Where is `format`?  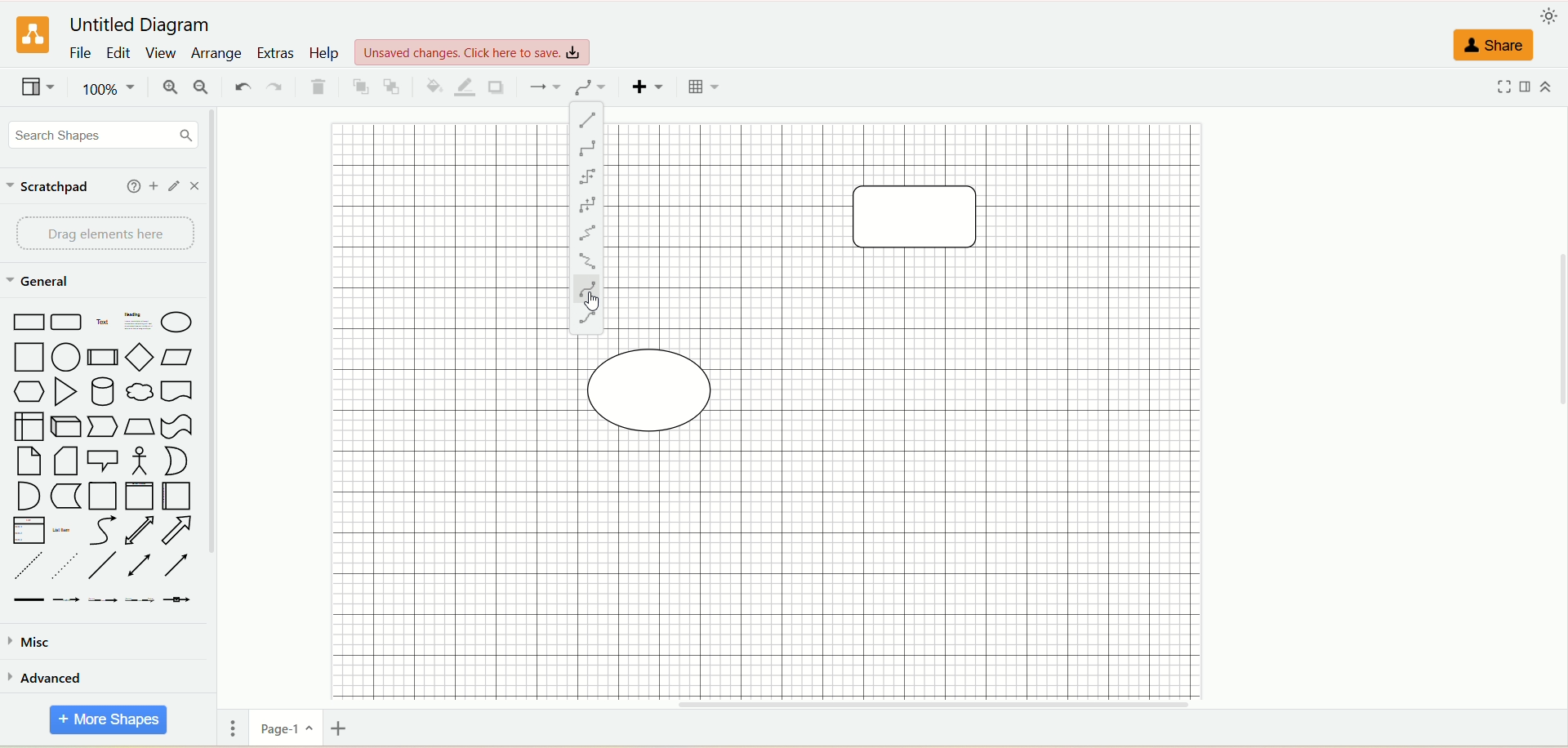 format is located at coordinates (1527, 87).